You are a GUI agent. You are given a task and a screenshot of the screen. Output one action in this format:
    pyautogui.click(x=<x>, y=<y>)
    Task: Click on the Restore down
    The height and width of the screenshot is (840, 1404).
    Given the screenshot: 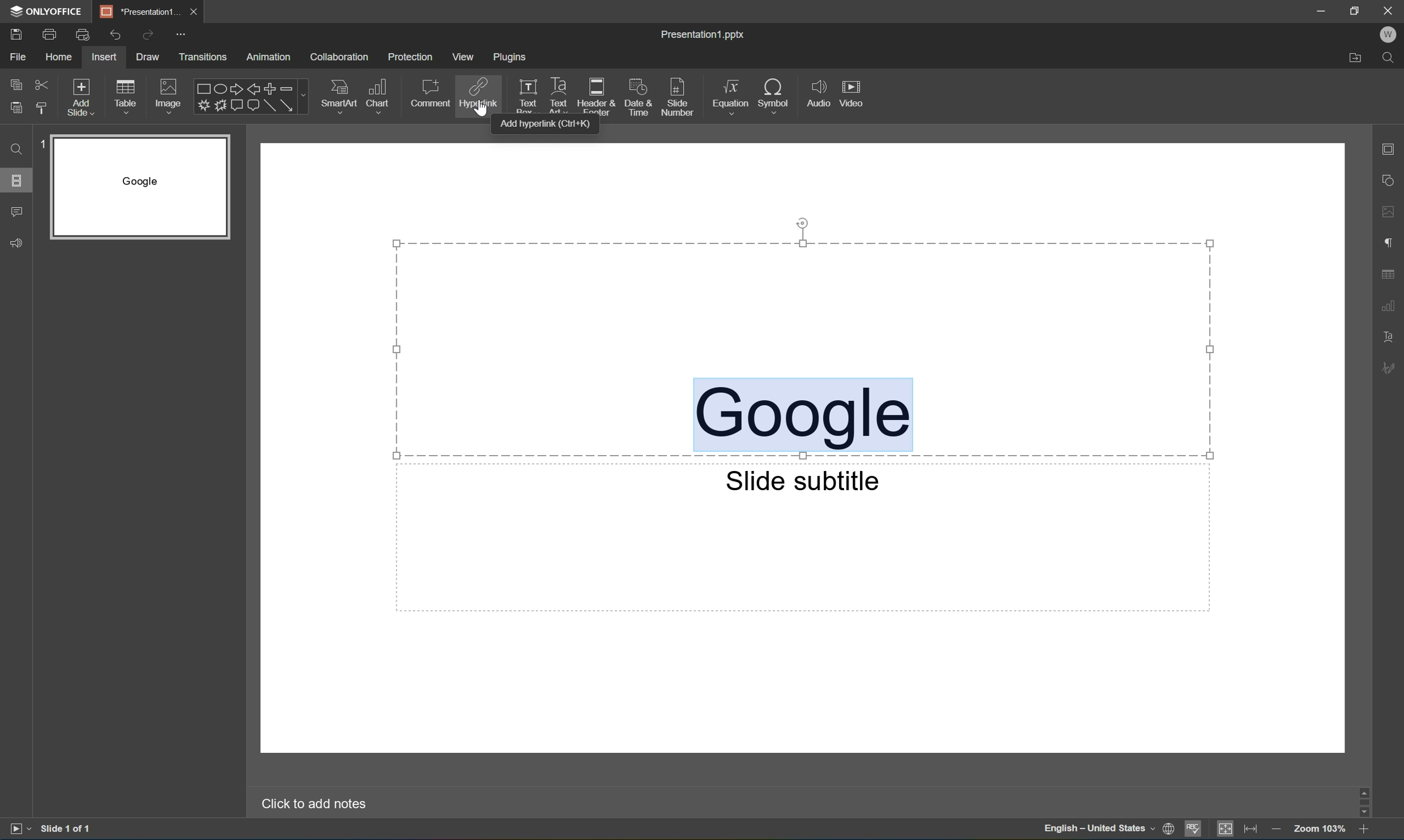 What is the action you would take?
    pyautogui.click(x=1357, y=10)
    